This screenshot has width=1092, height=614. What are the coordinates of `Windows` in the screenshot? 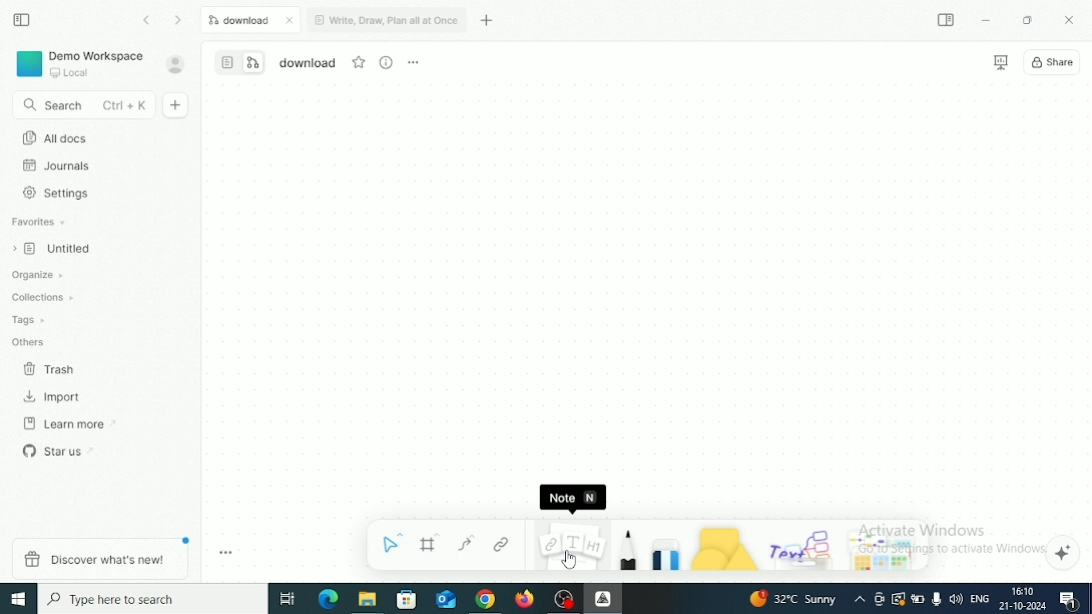 It's located at (20, 598).